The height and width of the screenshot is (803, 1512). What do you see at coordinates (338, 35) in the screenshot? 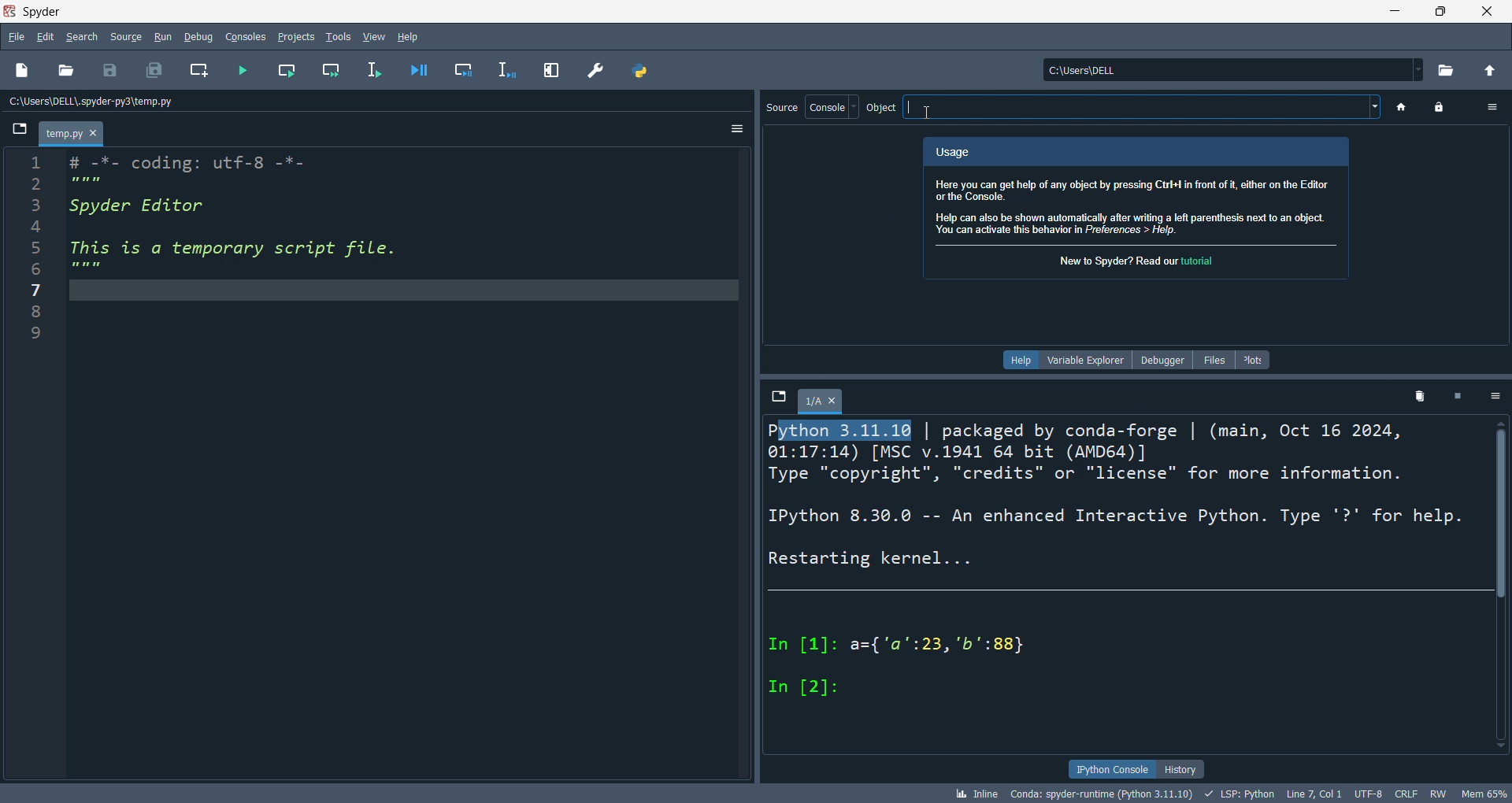
I see `tools` at bounding box center [338, 35].